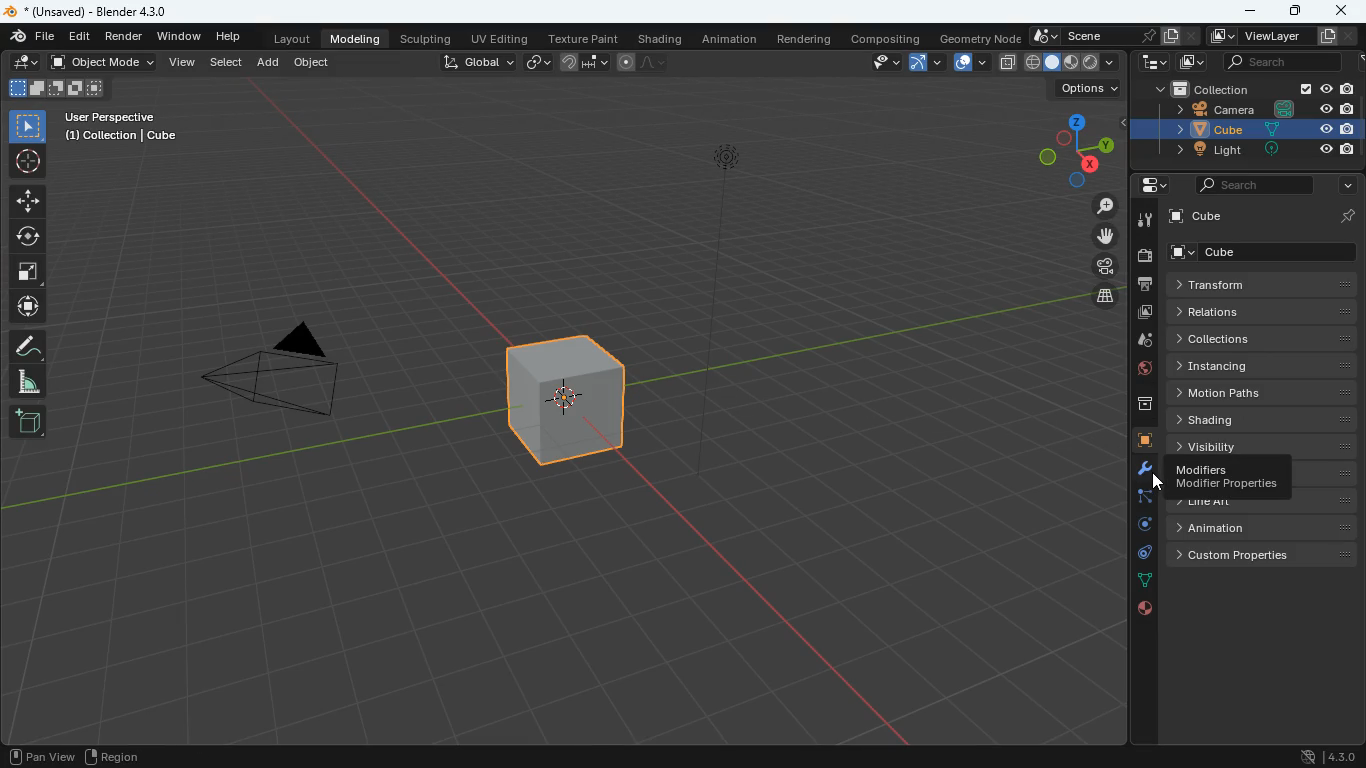  What do you see at coordinates (1259, 130) in the screenshot?
I see `cube` at bounding box center [1259, 130].